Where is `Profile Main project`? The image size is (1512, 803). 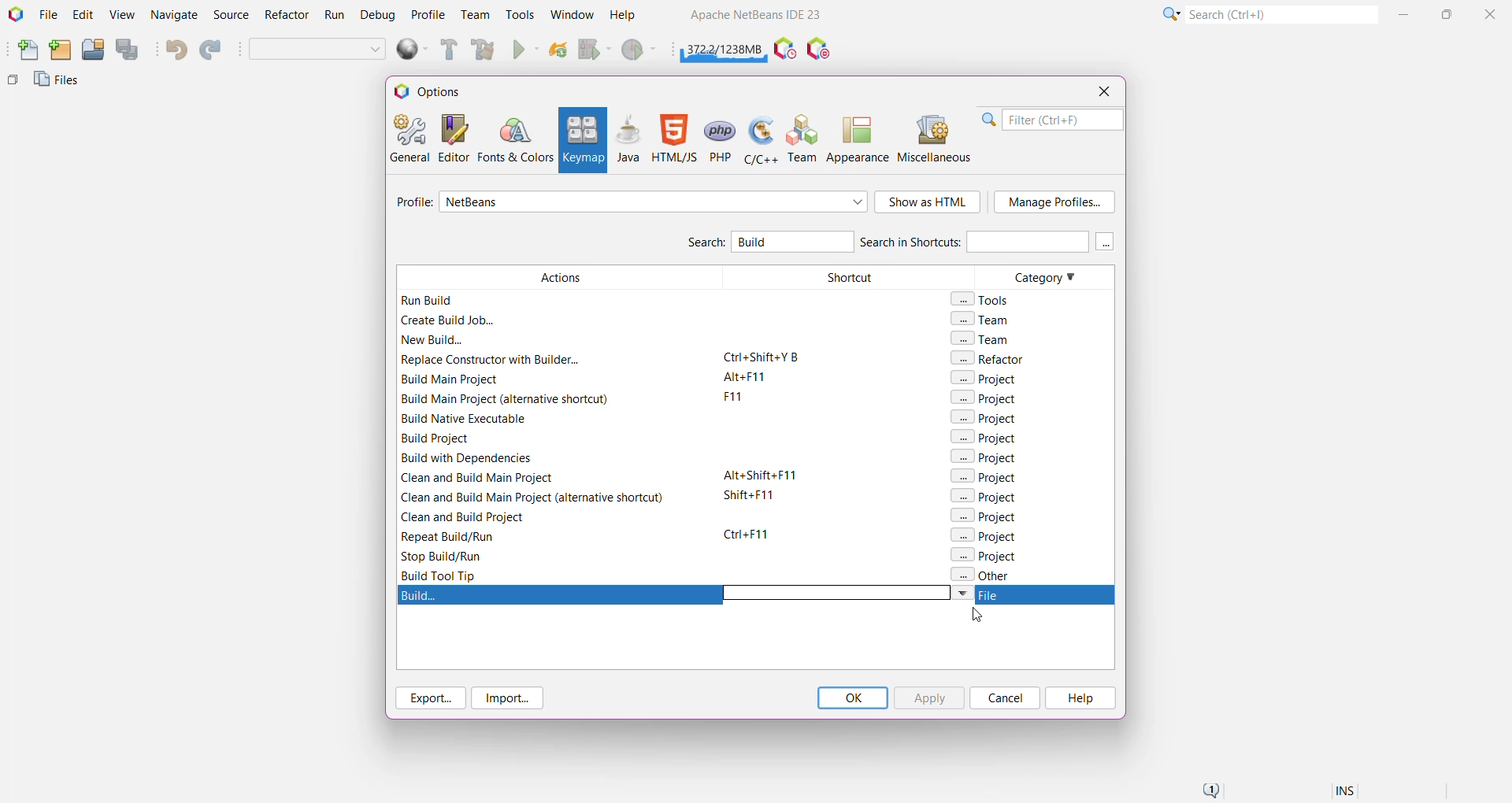 Profile Main project is located at coordinates (640, 51).